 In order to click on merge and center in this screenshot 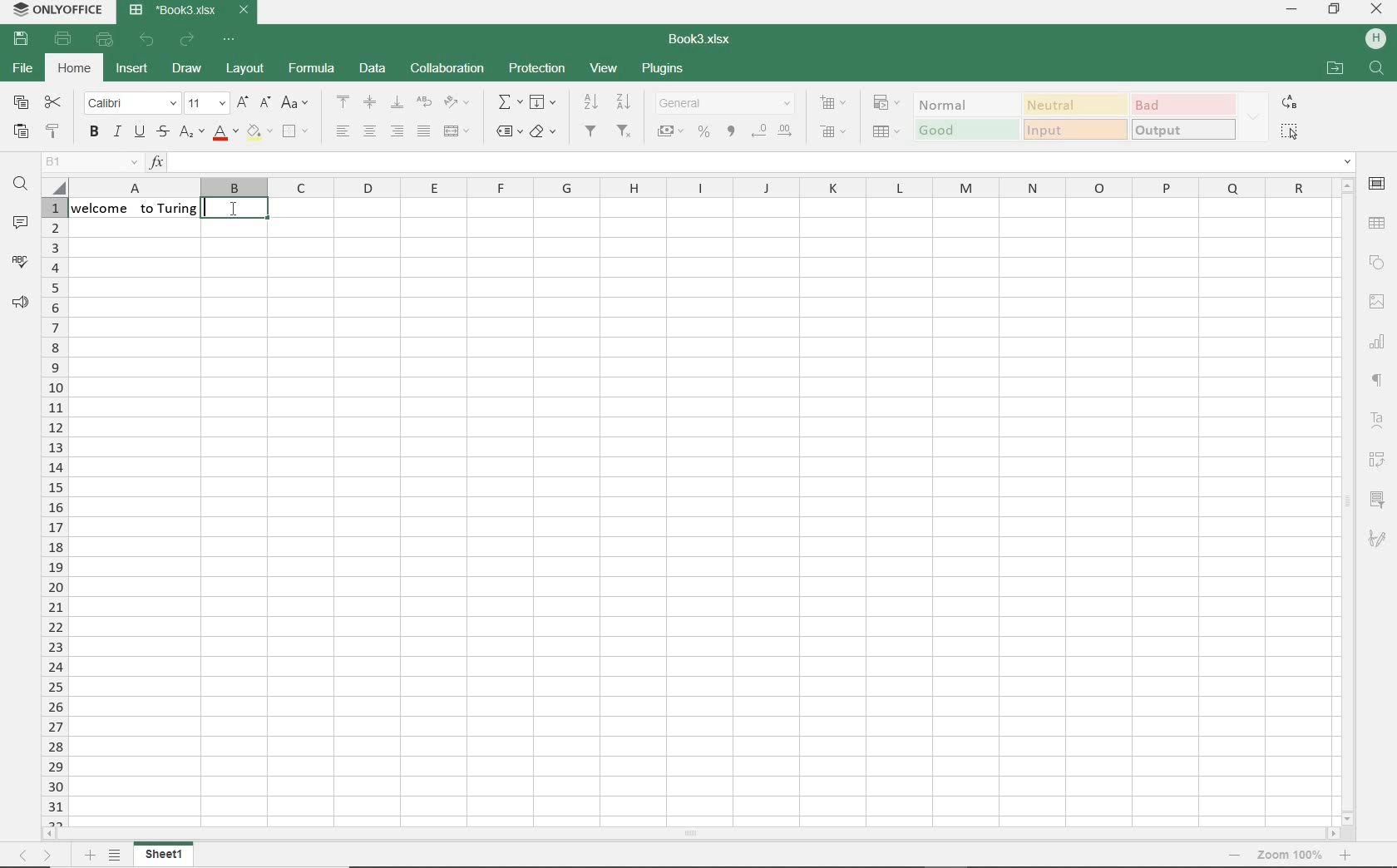, I will do `click(457, 132)`.